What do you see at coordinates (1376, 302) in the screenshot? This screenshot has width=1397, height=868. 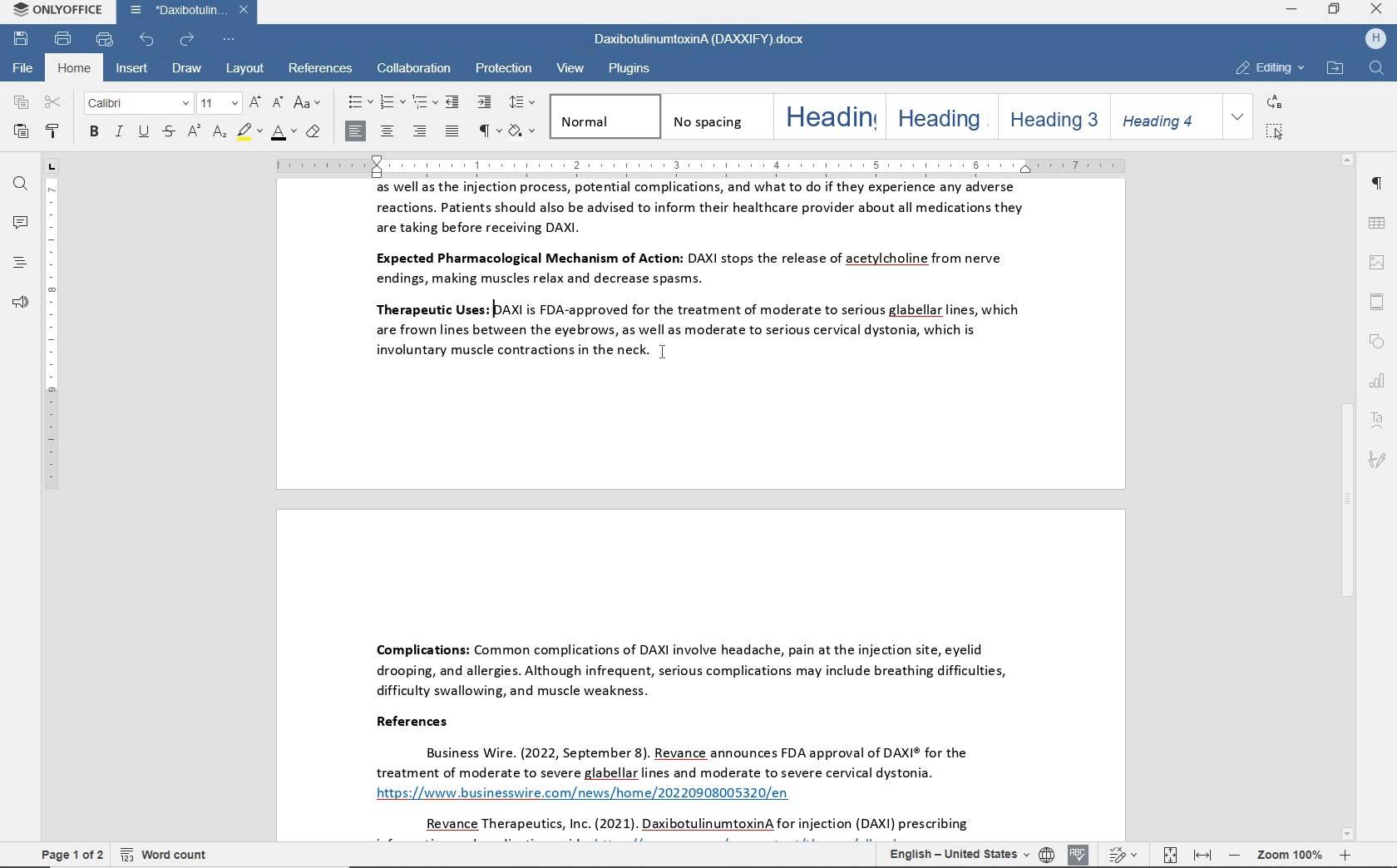 I see `header & footer` at bounding box center [1376, 302].